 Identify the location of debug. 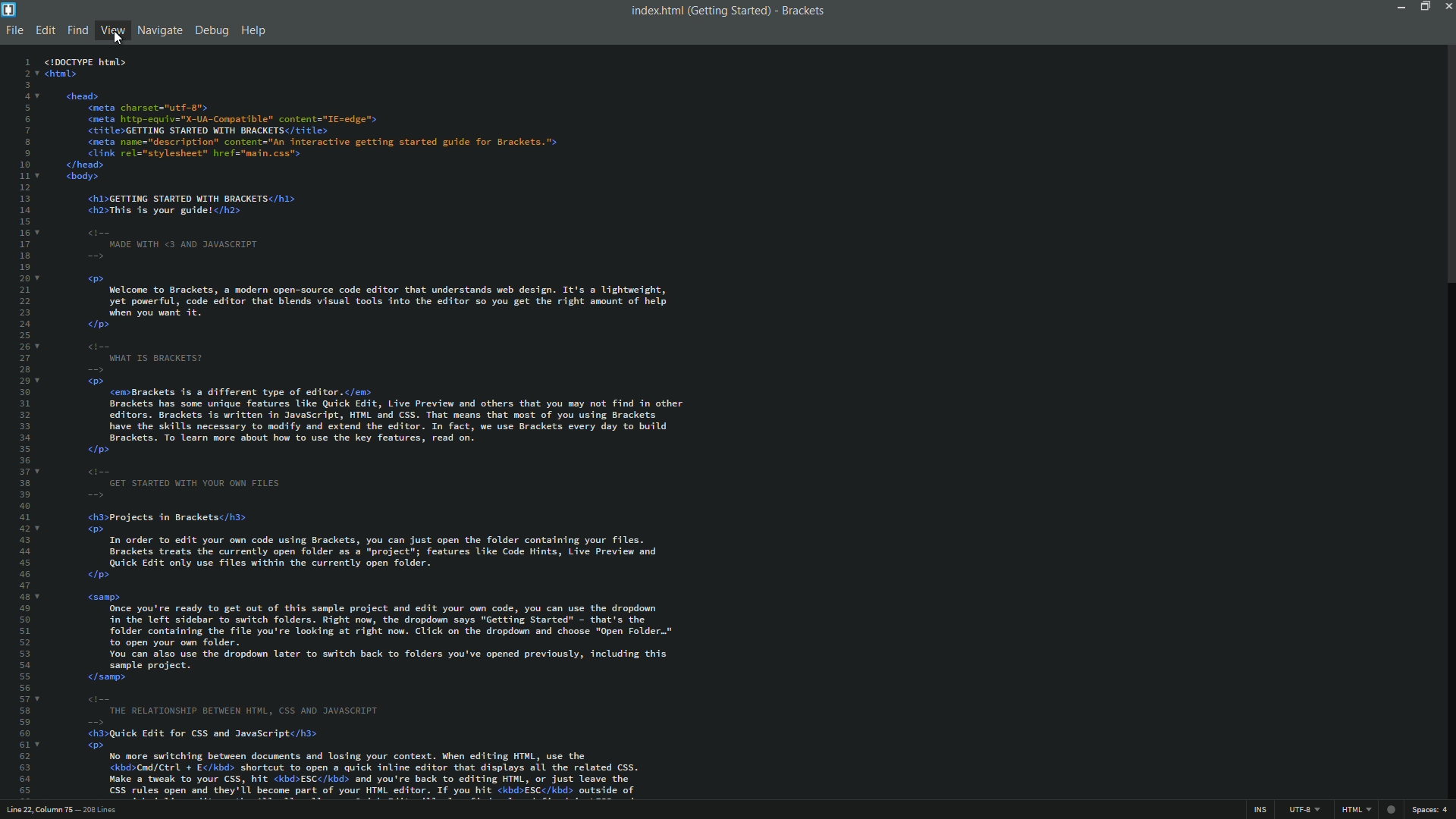
(211, 32).